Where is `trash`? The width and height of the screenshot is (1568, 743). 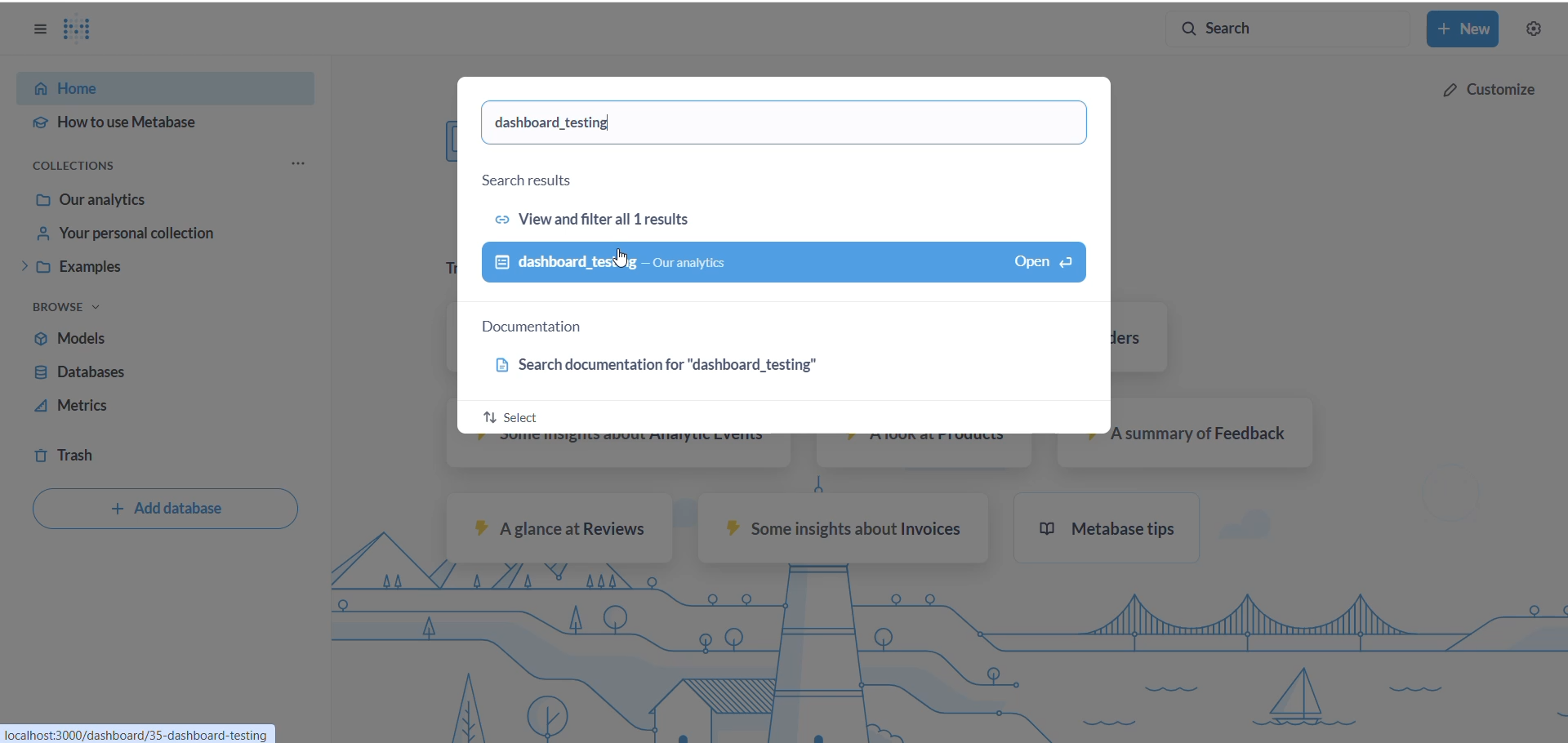
trash is located at coordinates (106, 451).